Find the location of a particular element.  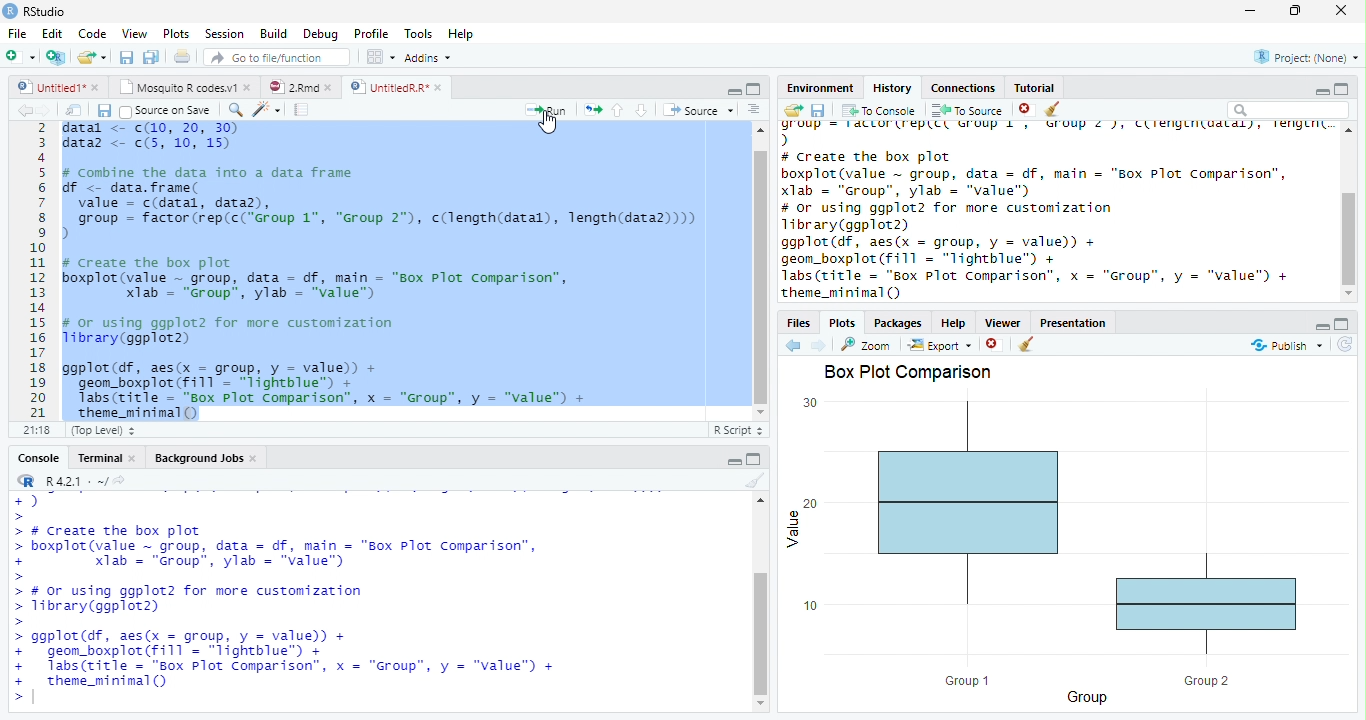

Print the current file is located at coordinates (181, 56).